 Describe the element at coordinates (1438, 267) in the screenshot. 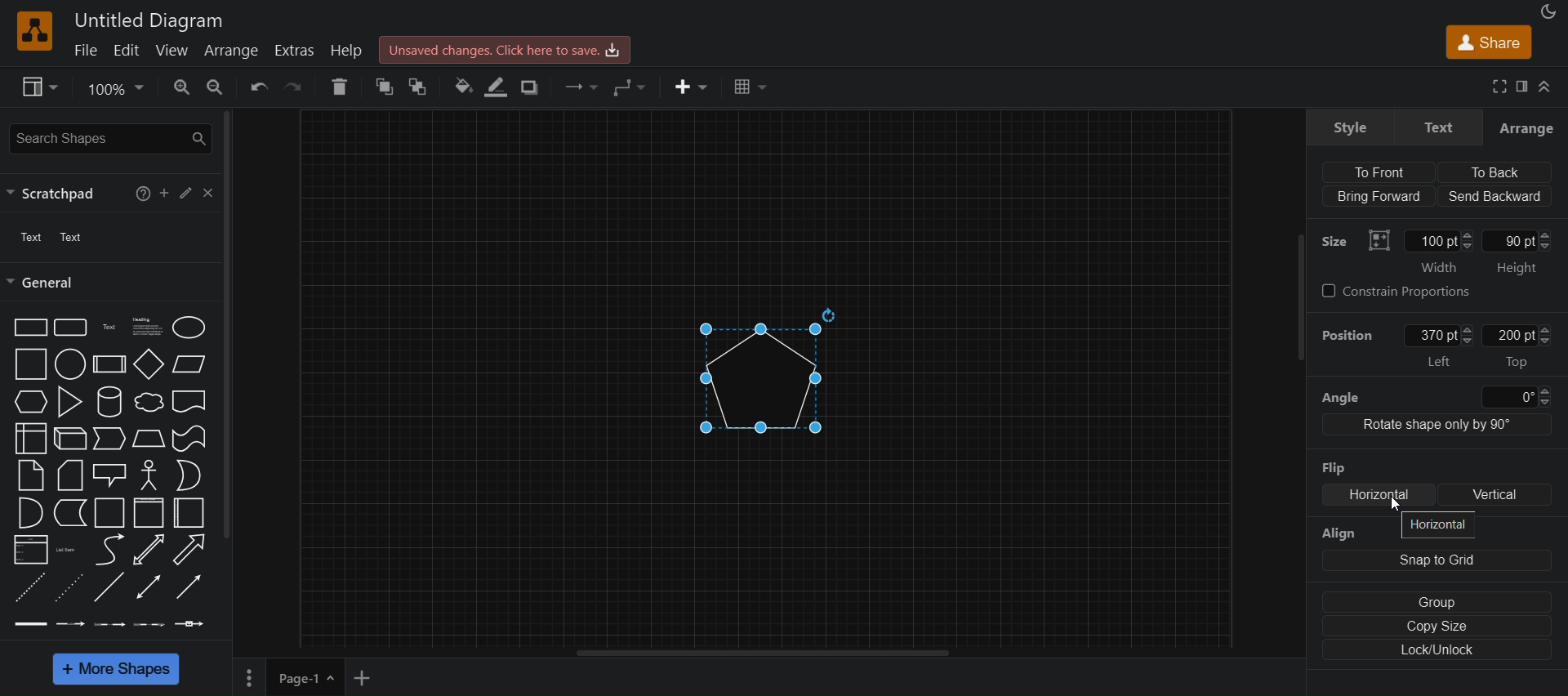

I see `Width` at that location.